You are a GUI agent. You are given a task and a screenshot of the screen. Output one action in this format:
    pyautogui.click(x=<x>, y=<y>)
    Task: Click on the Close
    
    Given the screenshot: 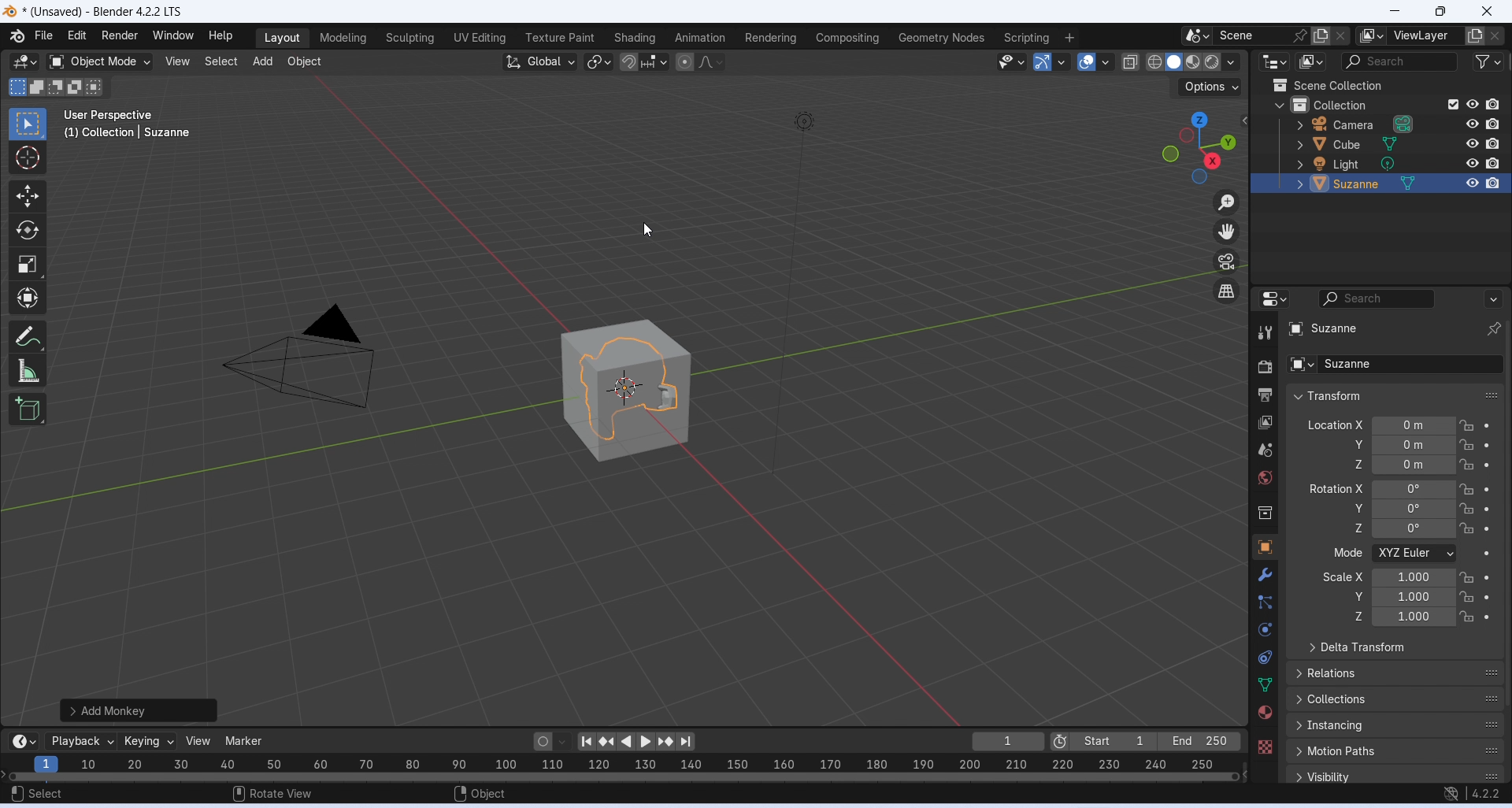 What is the action you would take?
    pyautogui.click(x=1488, y=12)
    